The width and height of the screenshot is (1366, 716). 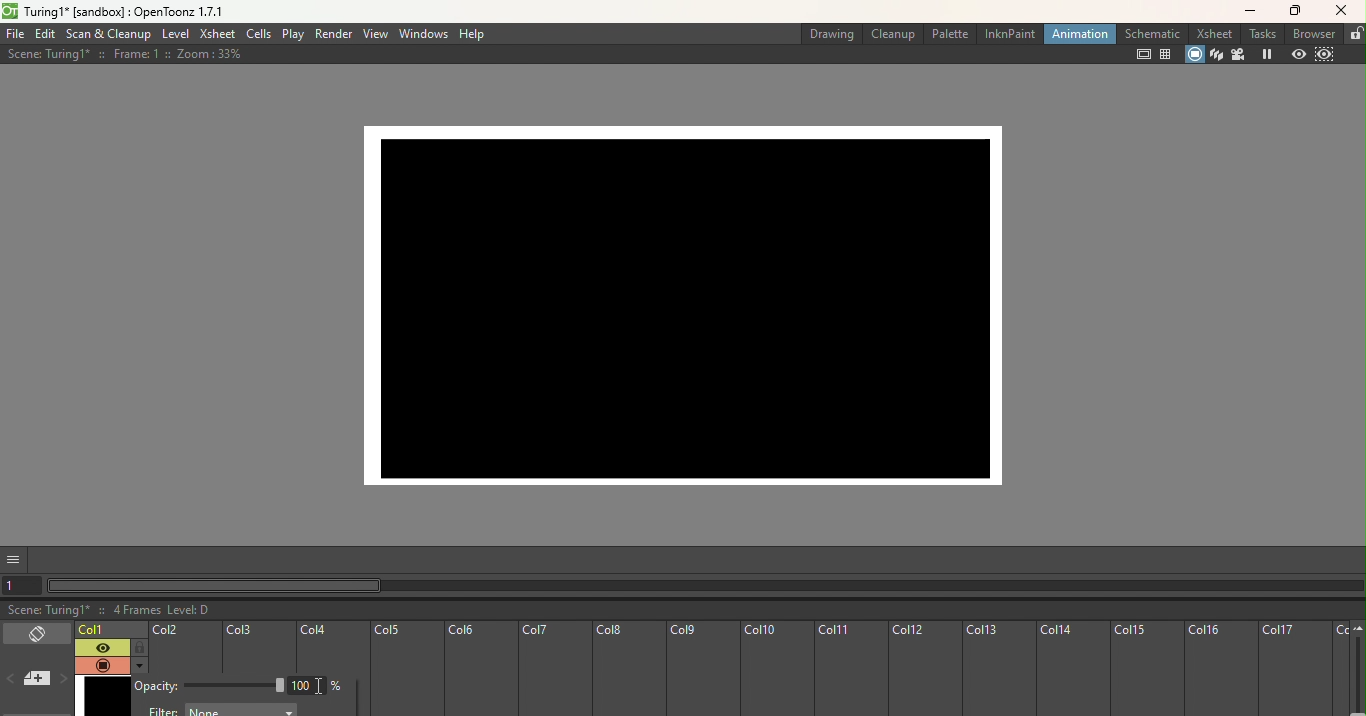 What do you see at coordinates (1331, 56) in the screenshot?
I see `Sub-camera preview` at bounding box center [1331, 56].